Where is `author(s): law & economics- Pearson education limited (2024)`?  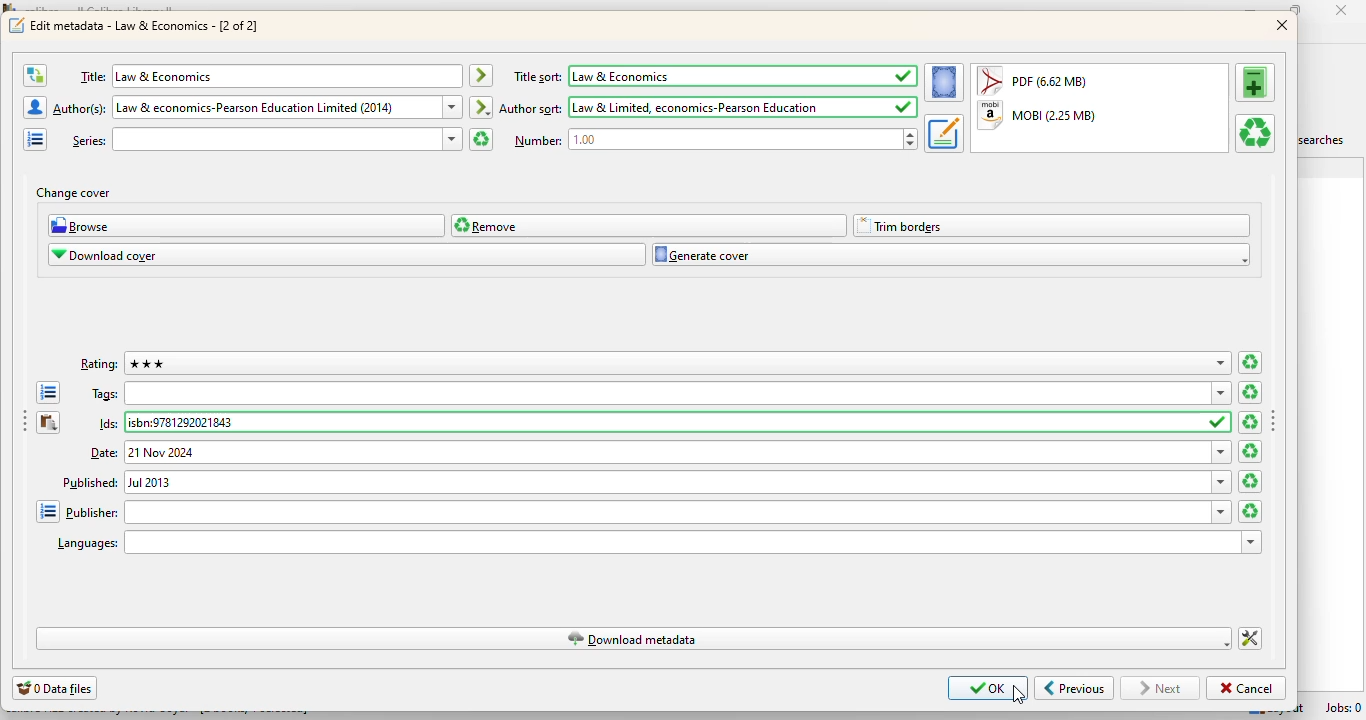
author(s): law & economics- Pearson education limited (2024) is located at coordinates (256, 107).